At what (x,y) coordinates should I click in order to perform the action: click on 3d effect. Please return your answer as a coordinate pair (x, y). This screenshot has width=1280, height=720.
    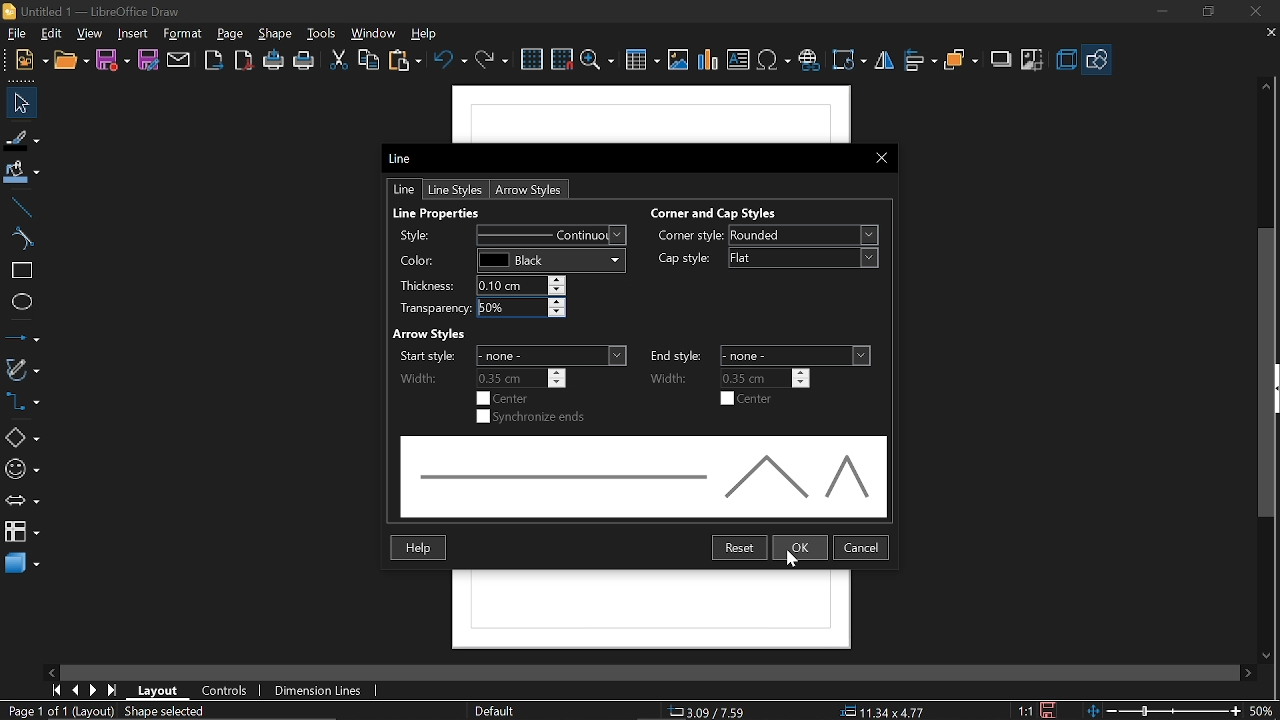
    Looking at the image, I should click on (1066, 60).